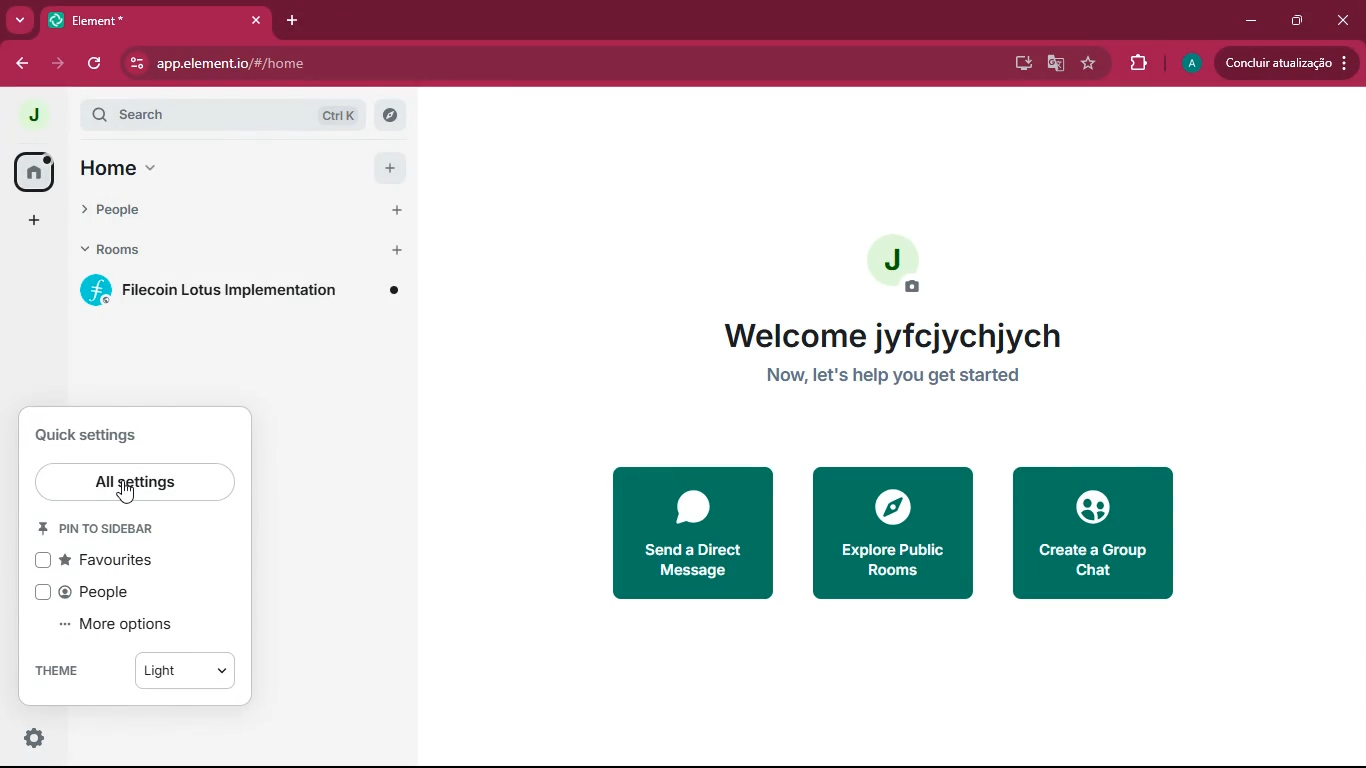 Image resolution: width=1366 pixels, height=768 pixels. I want to click on theme, so click(134, 671).